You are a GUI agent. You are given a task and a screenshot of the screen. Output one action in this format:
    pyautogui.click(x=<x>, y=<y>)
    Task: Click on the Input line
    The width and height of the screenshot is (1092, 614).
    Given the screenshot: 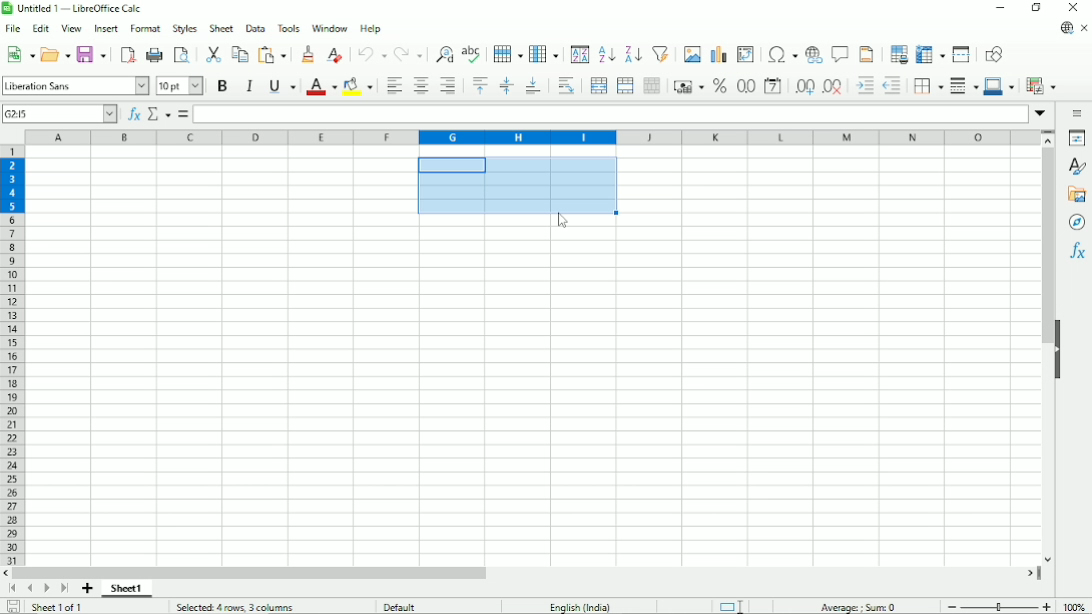 What is the action you would take?
    pyautogui.click(x=610, y=114)
    